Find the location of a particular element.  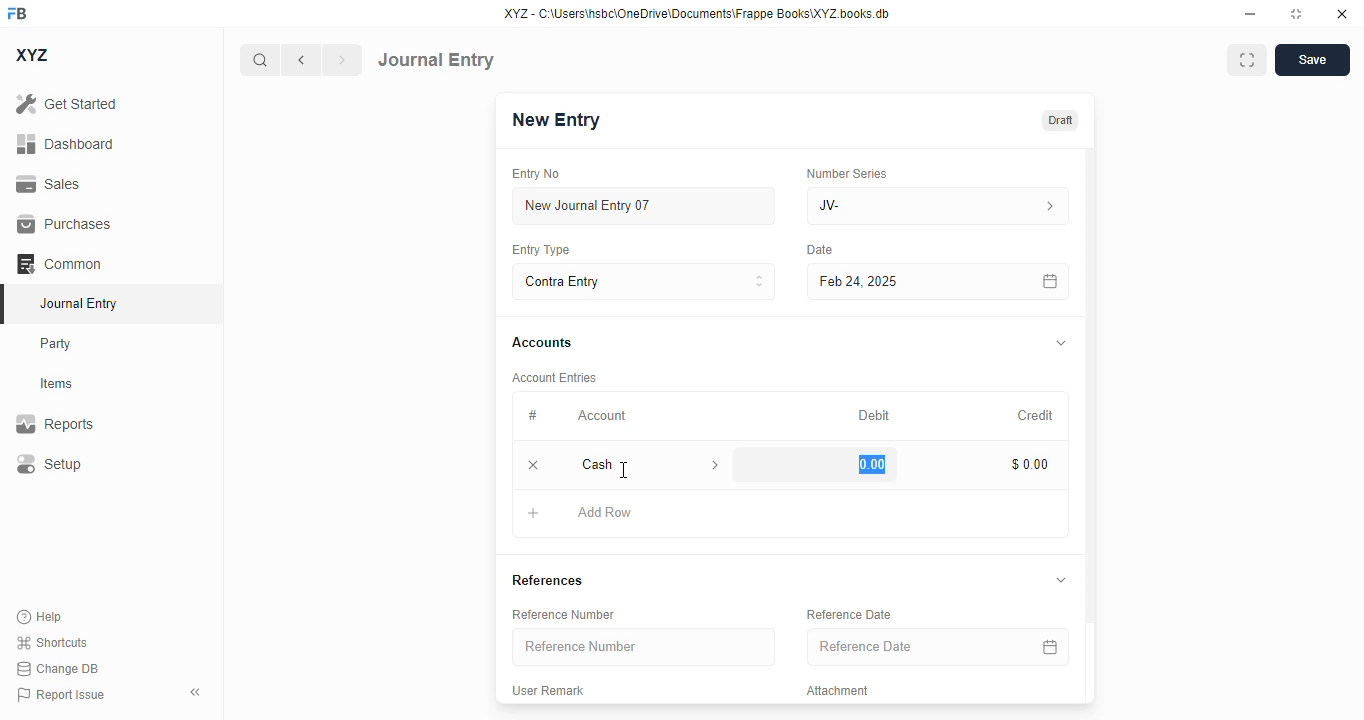

vertical scroll bar is located at coordinates (1090, 426).